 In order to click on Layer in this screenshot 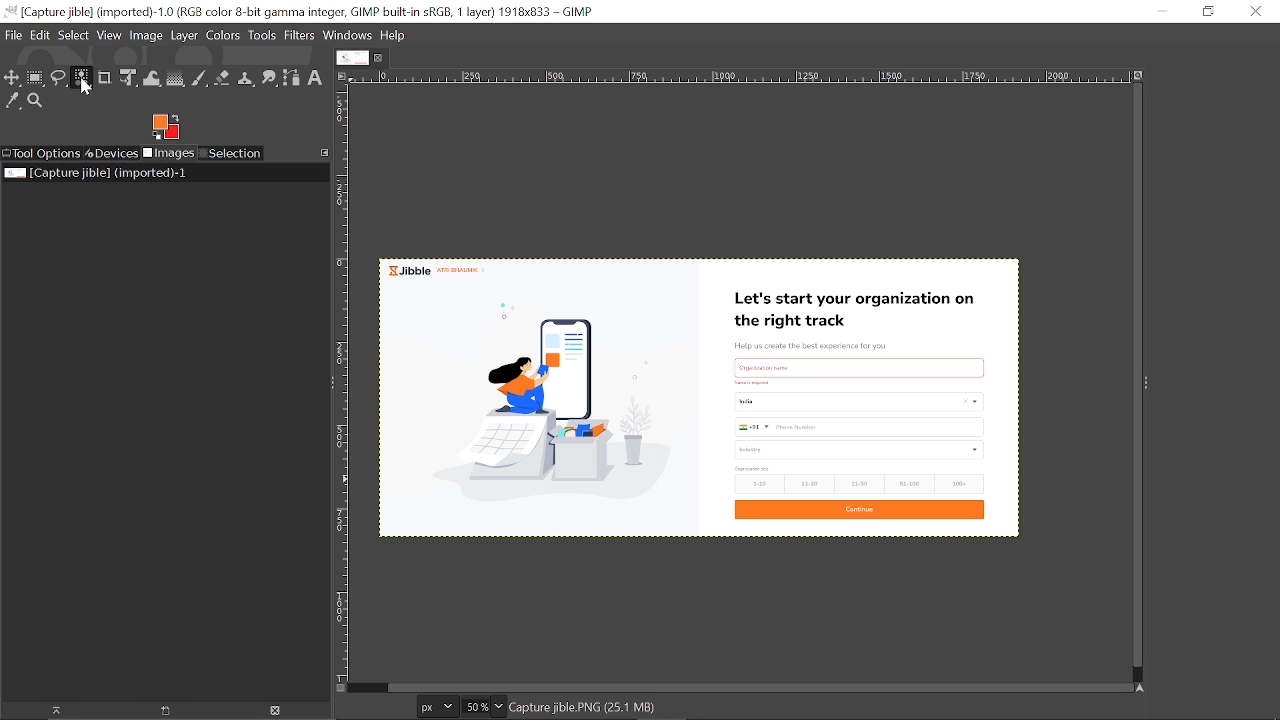, I will do `click(184, 35)`.